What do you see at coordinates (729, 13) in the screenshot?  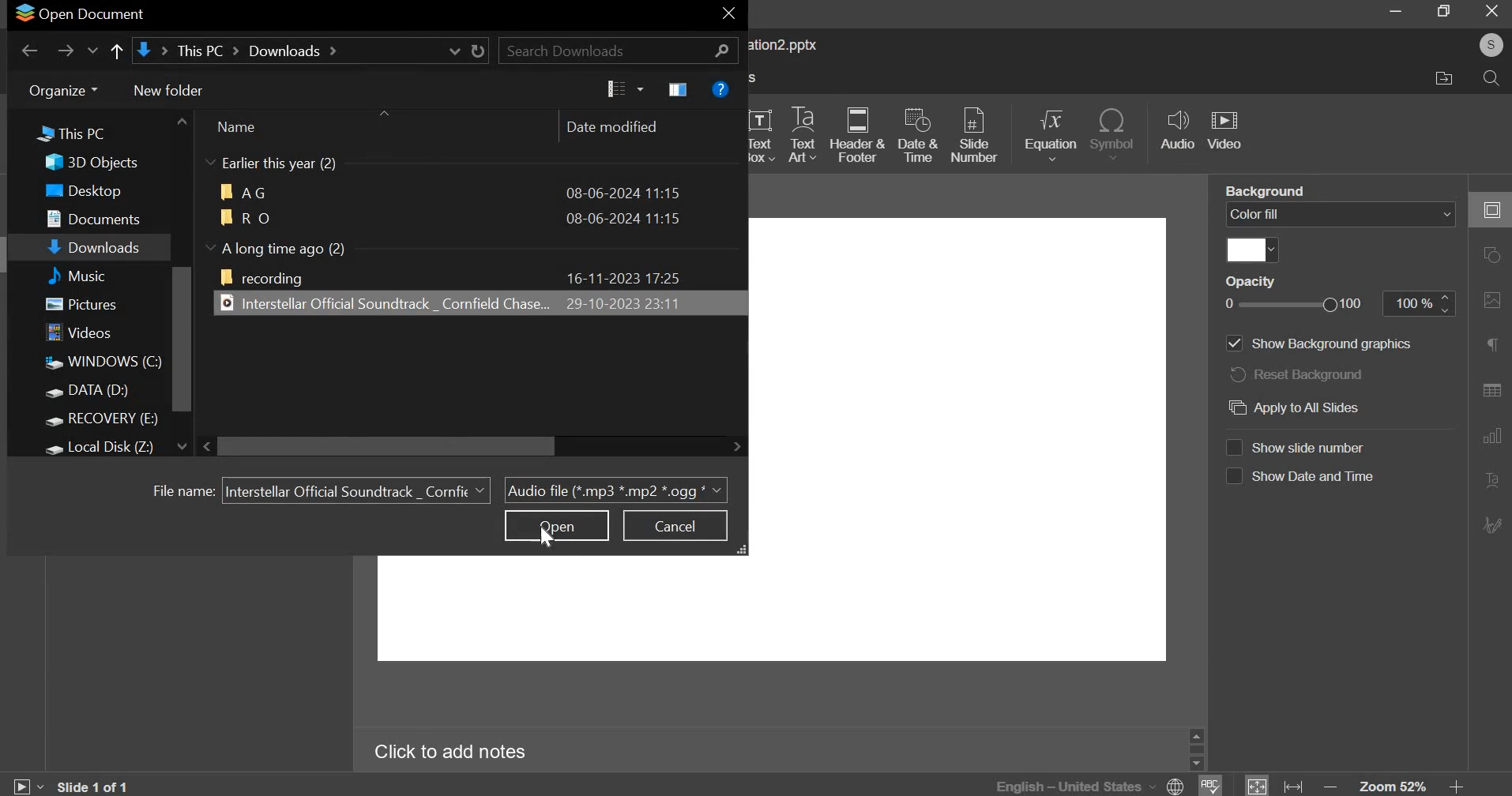 I see `close` at bounding box center [729, 13].